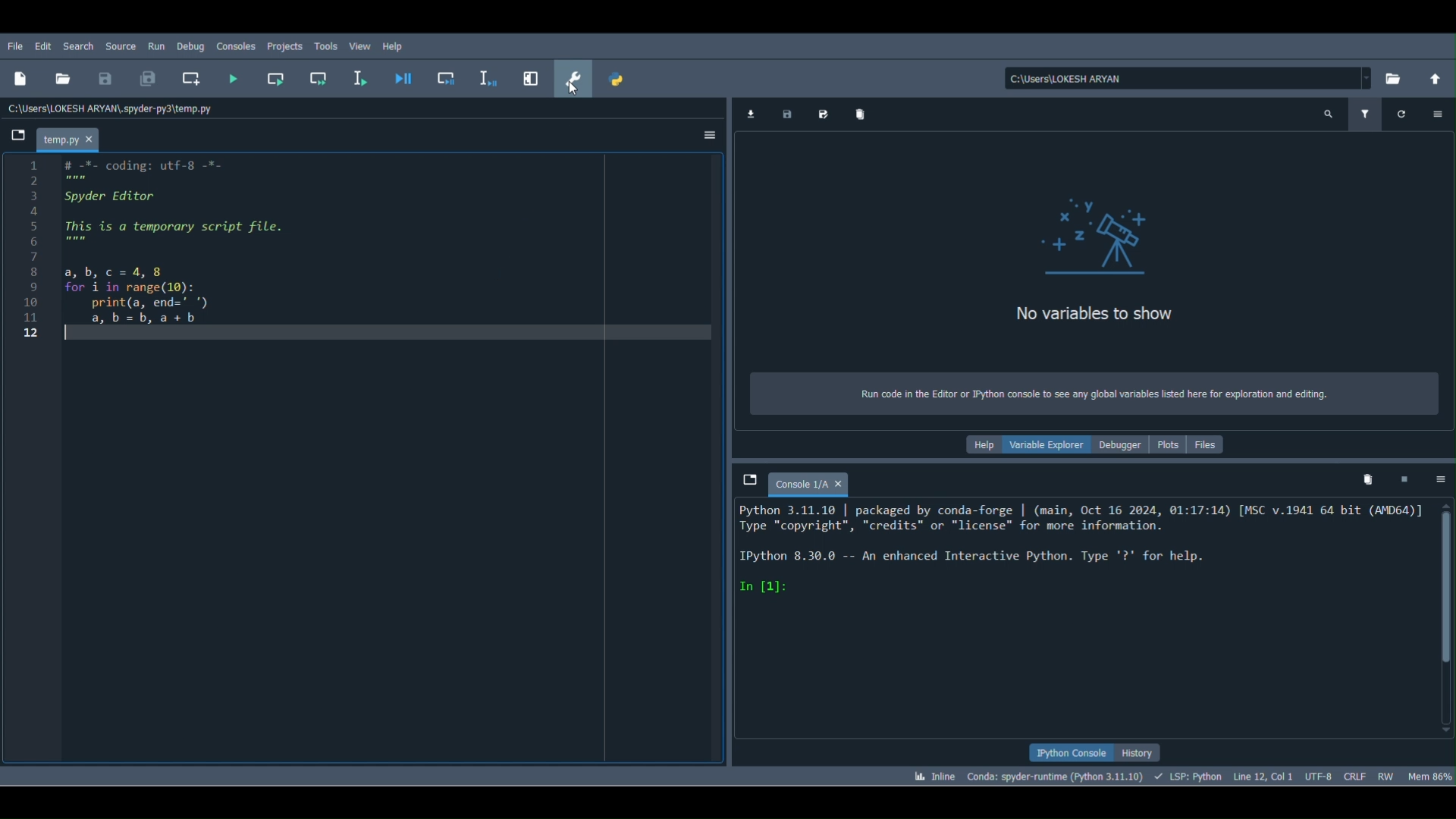 Image resolution: width=1456 pixels, height=819 pixels. Describe the element at coordinates (1063, 752) in the screenshot. I see `IPython console` at that location.